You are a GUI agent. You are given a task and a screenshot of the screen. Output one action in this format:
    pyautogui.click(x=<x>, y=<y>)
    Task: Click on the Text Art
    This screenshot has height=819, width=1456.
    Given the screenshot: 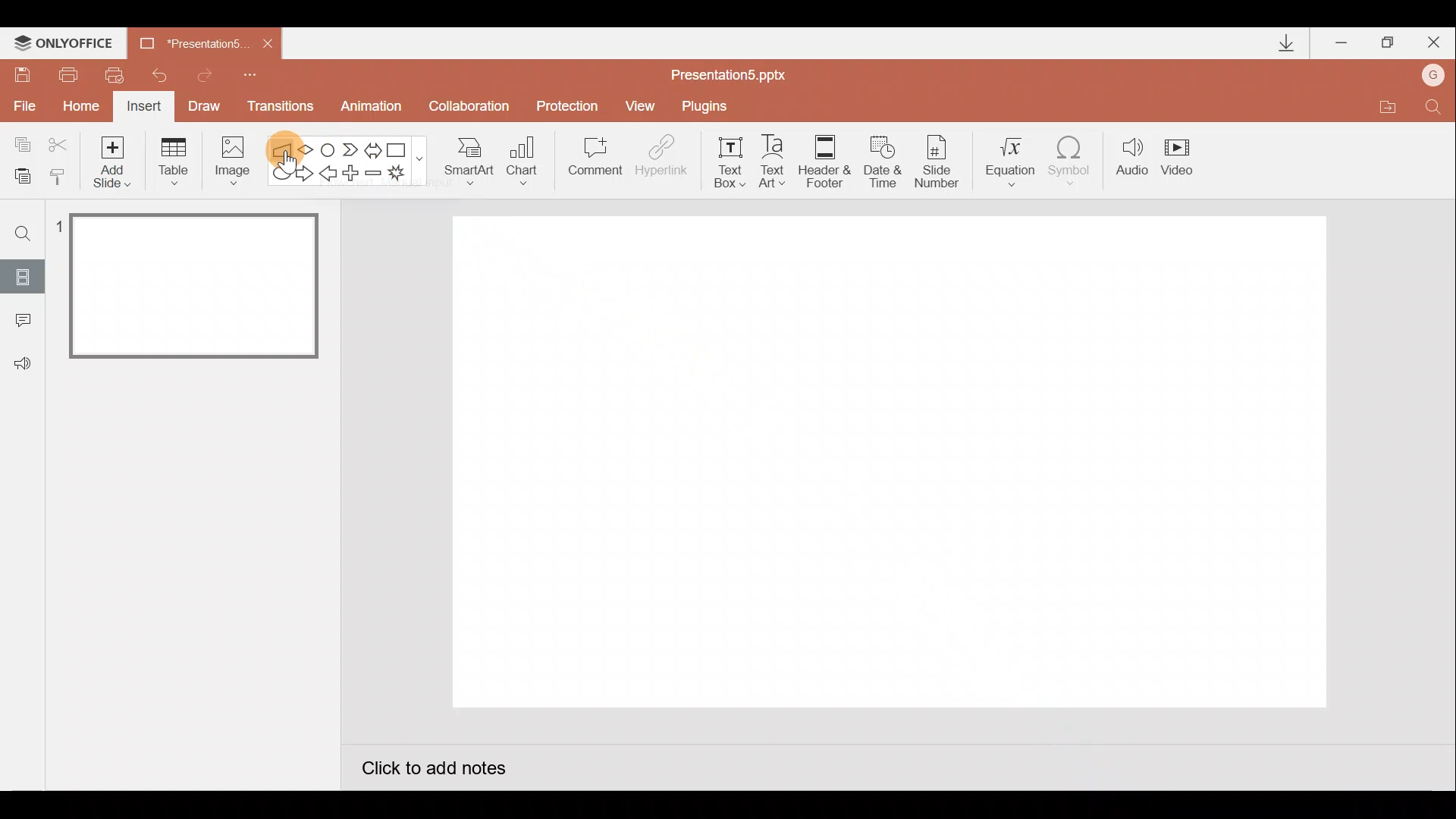 What is the action you would take?
    pyautogui.click(x=777, y=161)
    